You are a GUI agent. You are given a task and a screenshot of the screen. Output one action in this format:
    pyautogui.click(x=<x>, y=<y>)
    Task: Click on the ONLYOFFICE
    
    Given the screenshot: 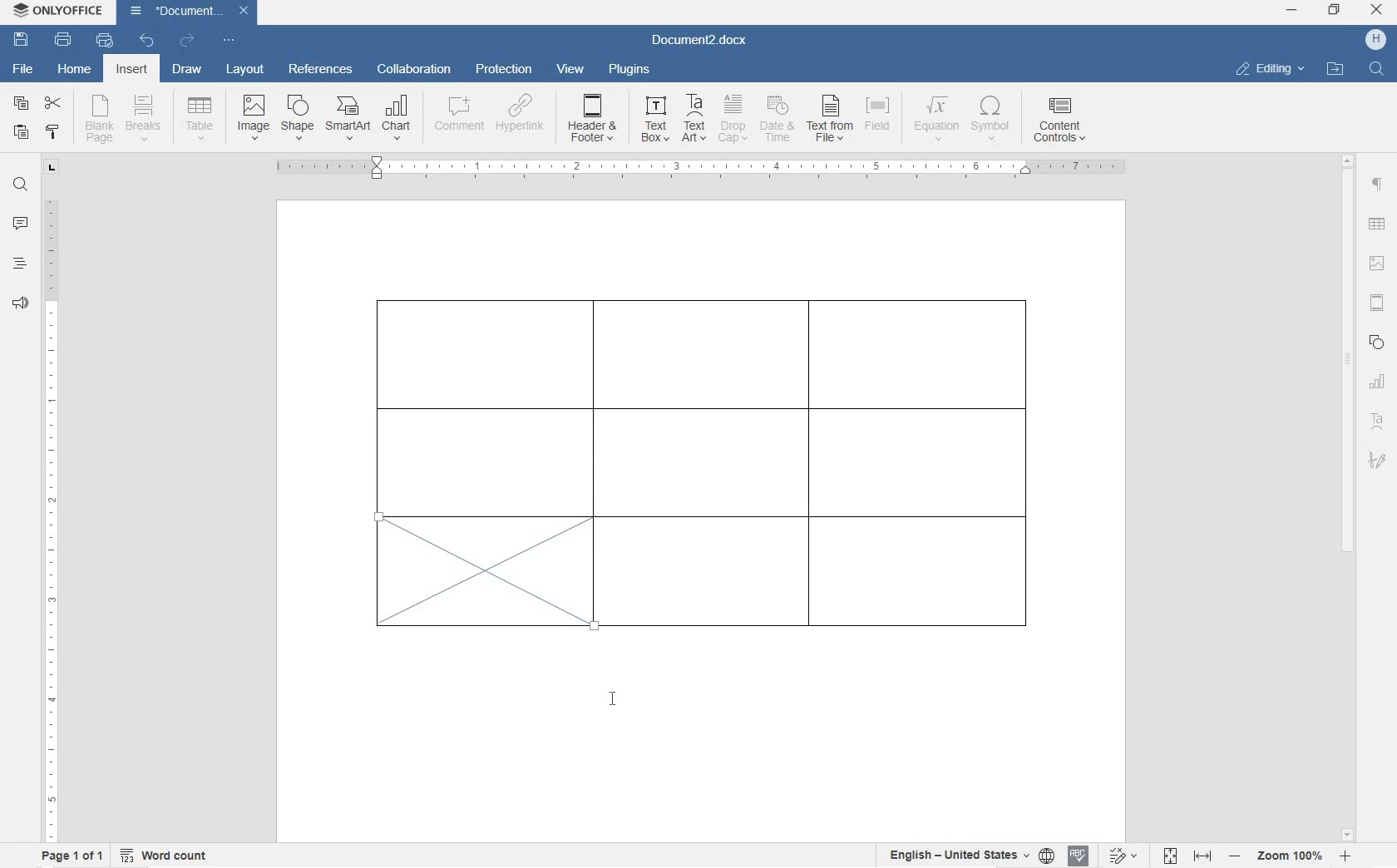 What is the action you would take?
    pyautogui.click(x=61, y=11)
    